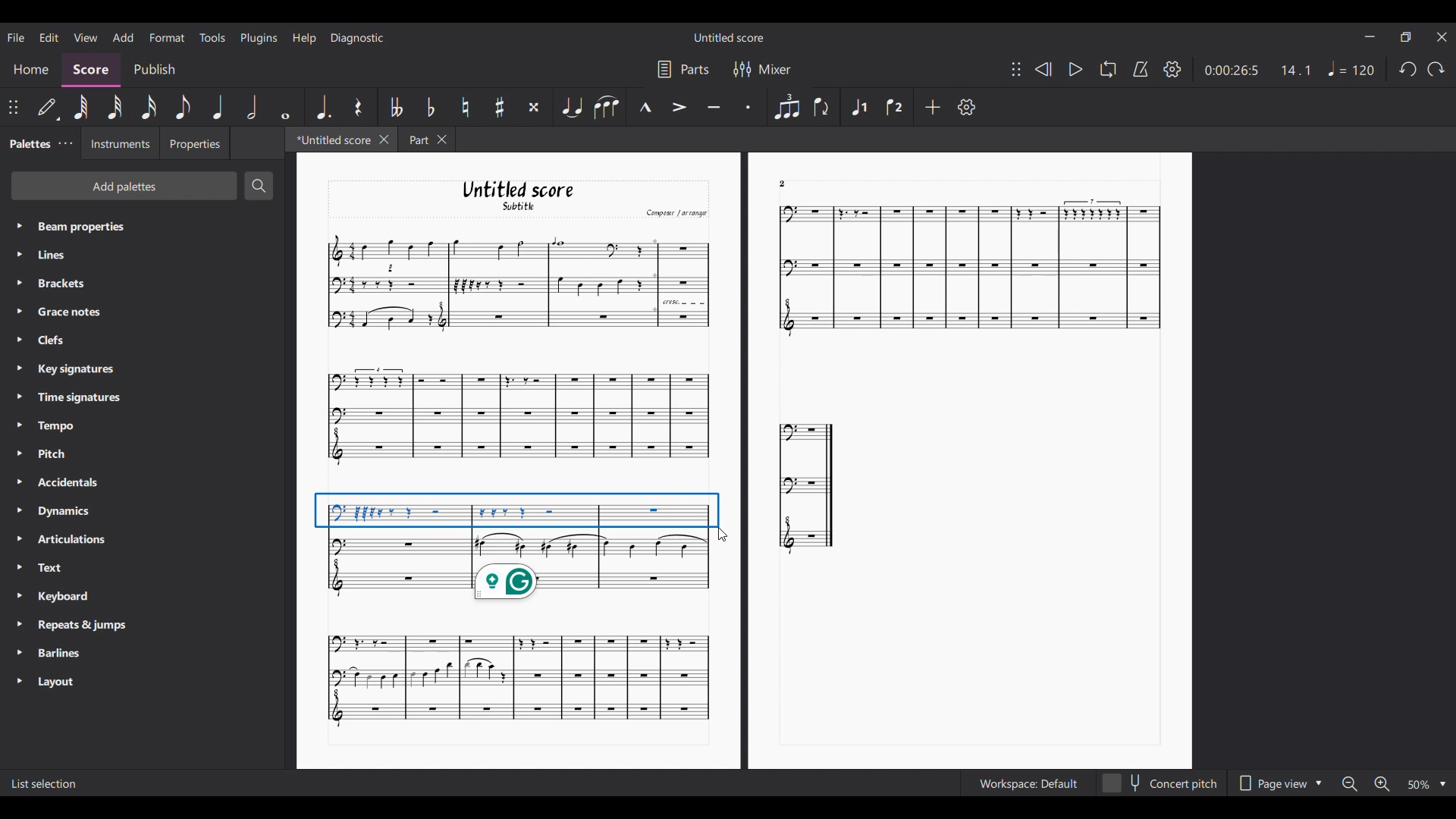  What do you see at coordinates (1141, 69) in the screenshot?
I see `Metronome` at bounding box center [1141, 69].